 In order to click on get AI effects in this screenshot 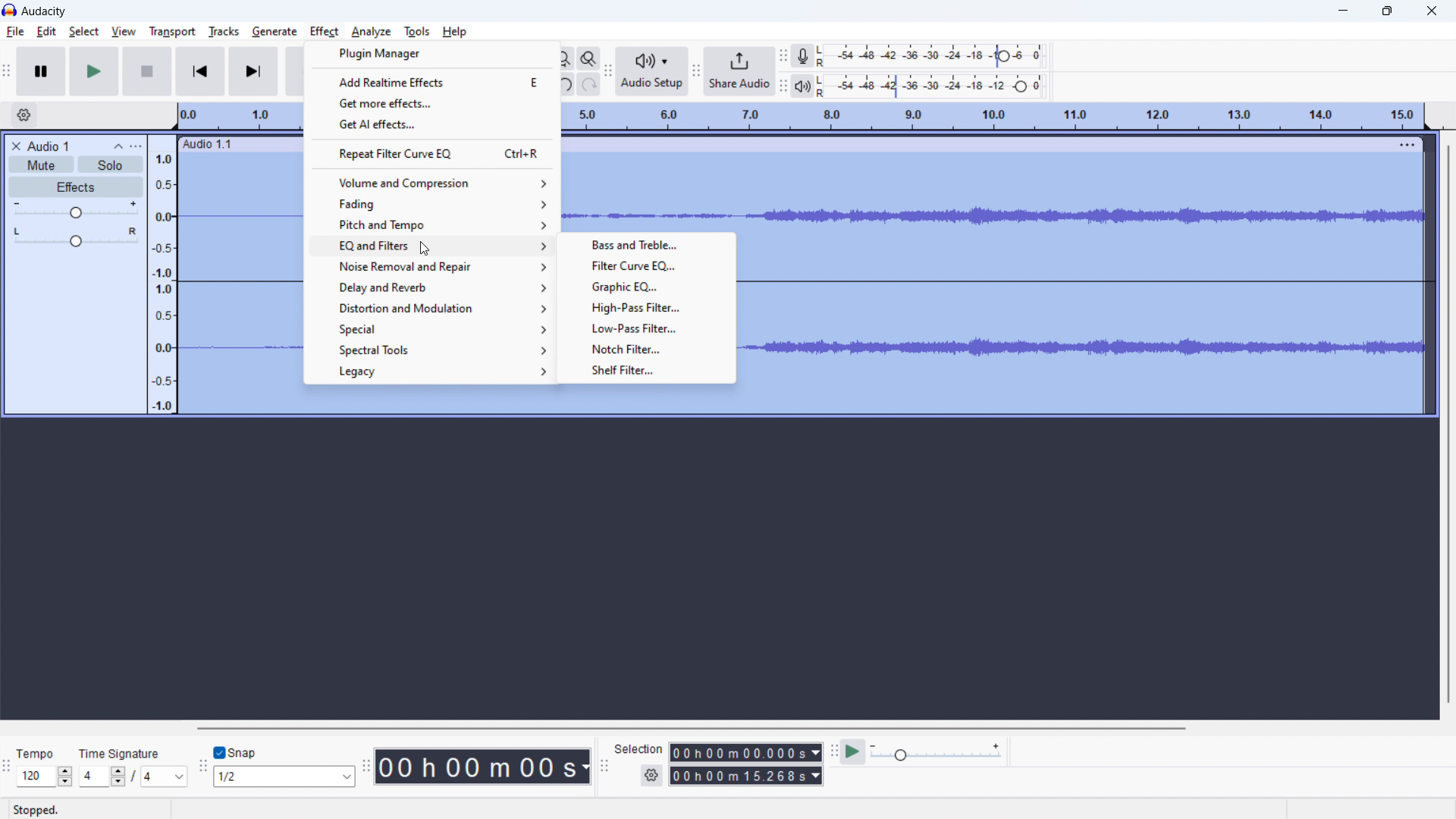, I will do `click(434, 124)`.